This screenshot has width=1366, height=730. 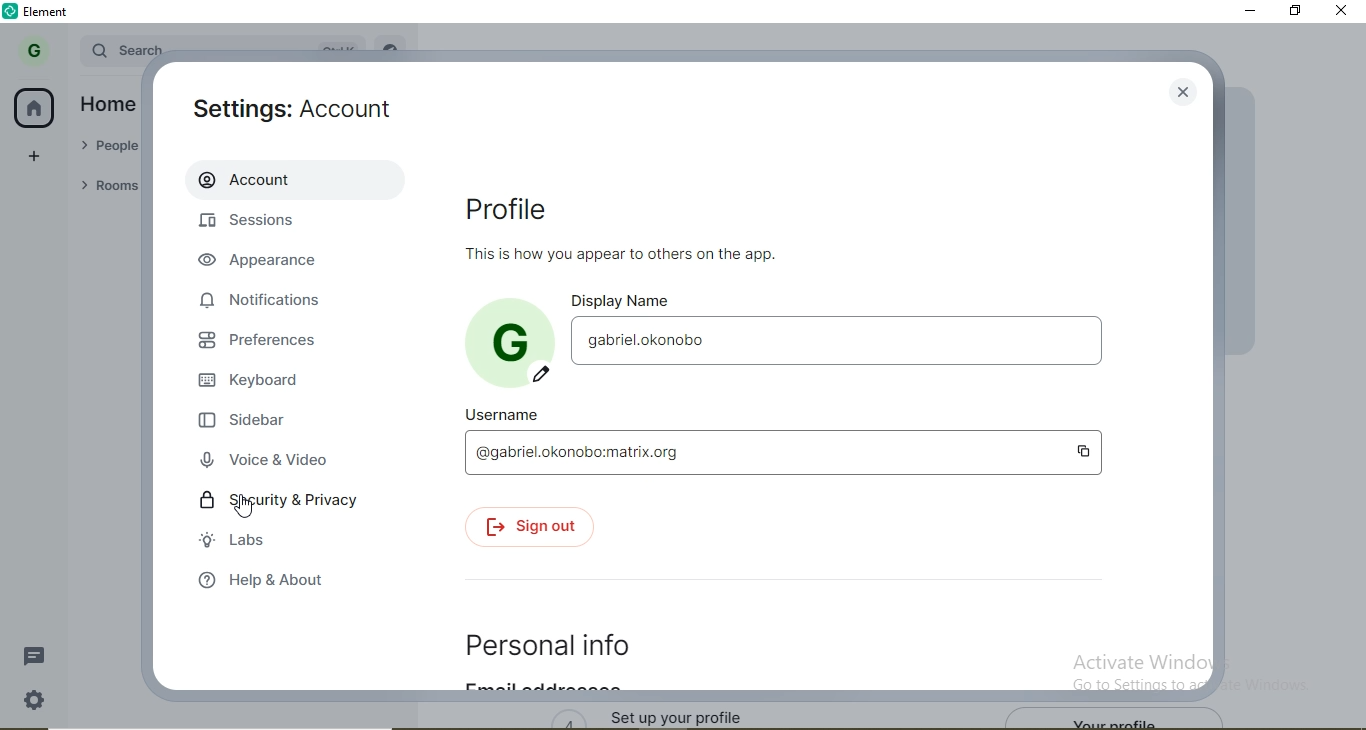 What do you see at coordinates (104, 184) in the screenshot?
I see `Rooms` at bounding box center [104, 184].